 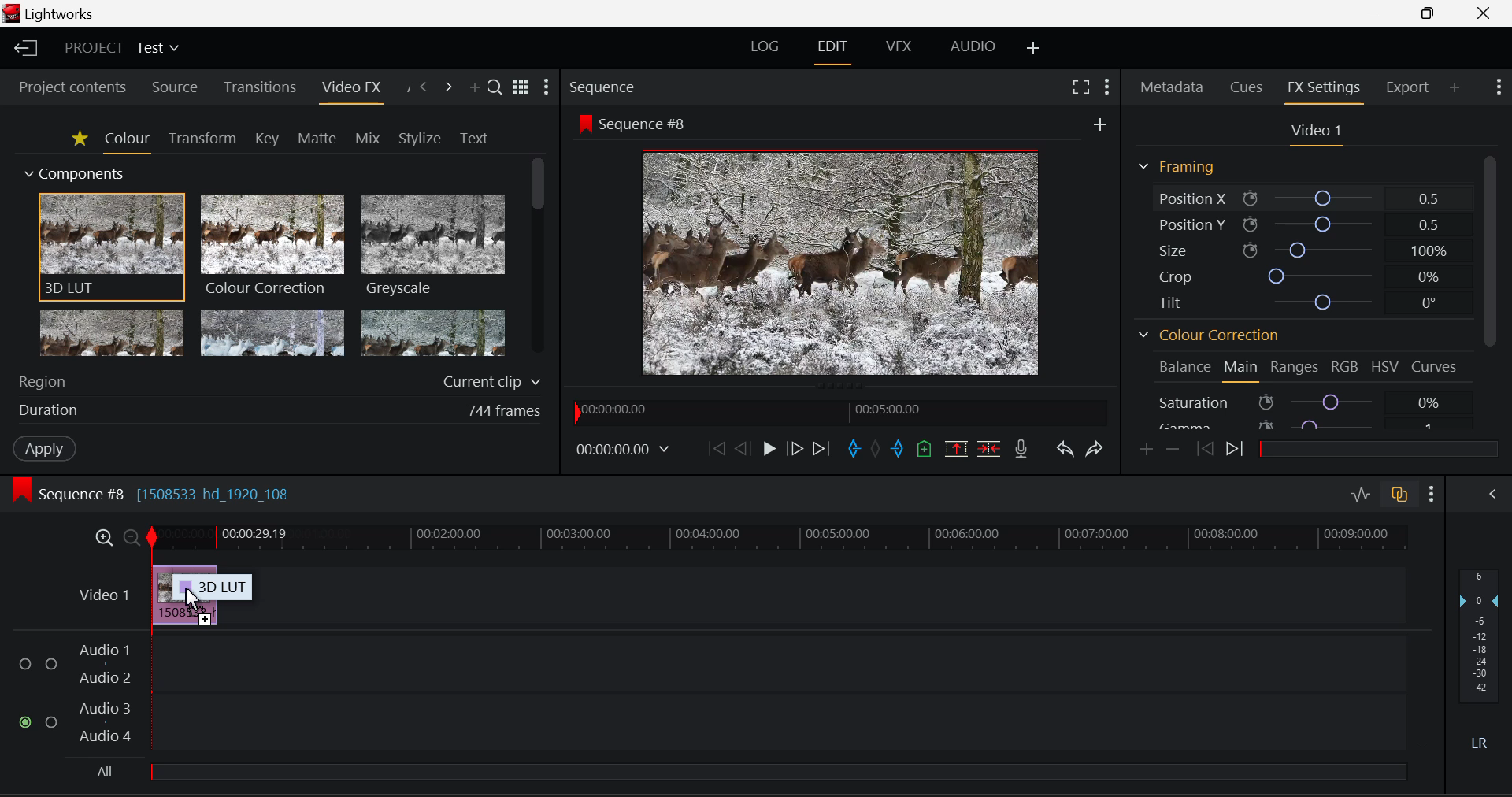 I want to click on Balance, so click(x=1182, y=369).